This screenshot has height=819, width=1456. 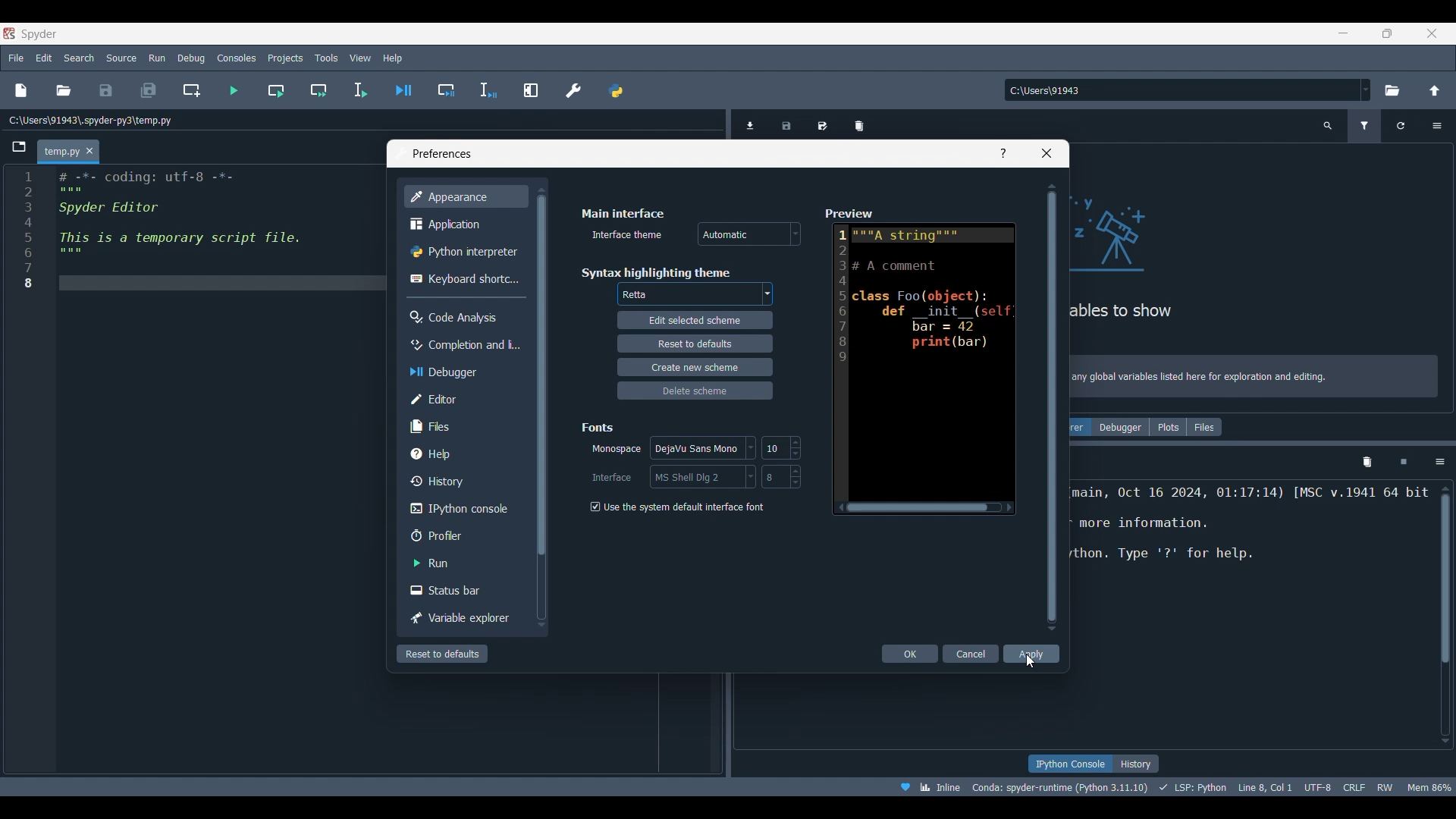 I want to click on Debugger, so click(x=1120, y=427).